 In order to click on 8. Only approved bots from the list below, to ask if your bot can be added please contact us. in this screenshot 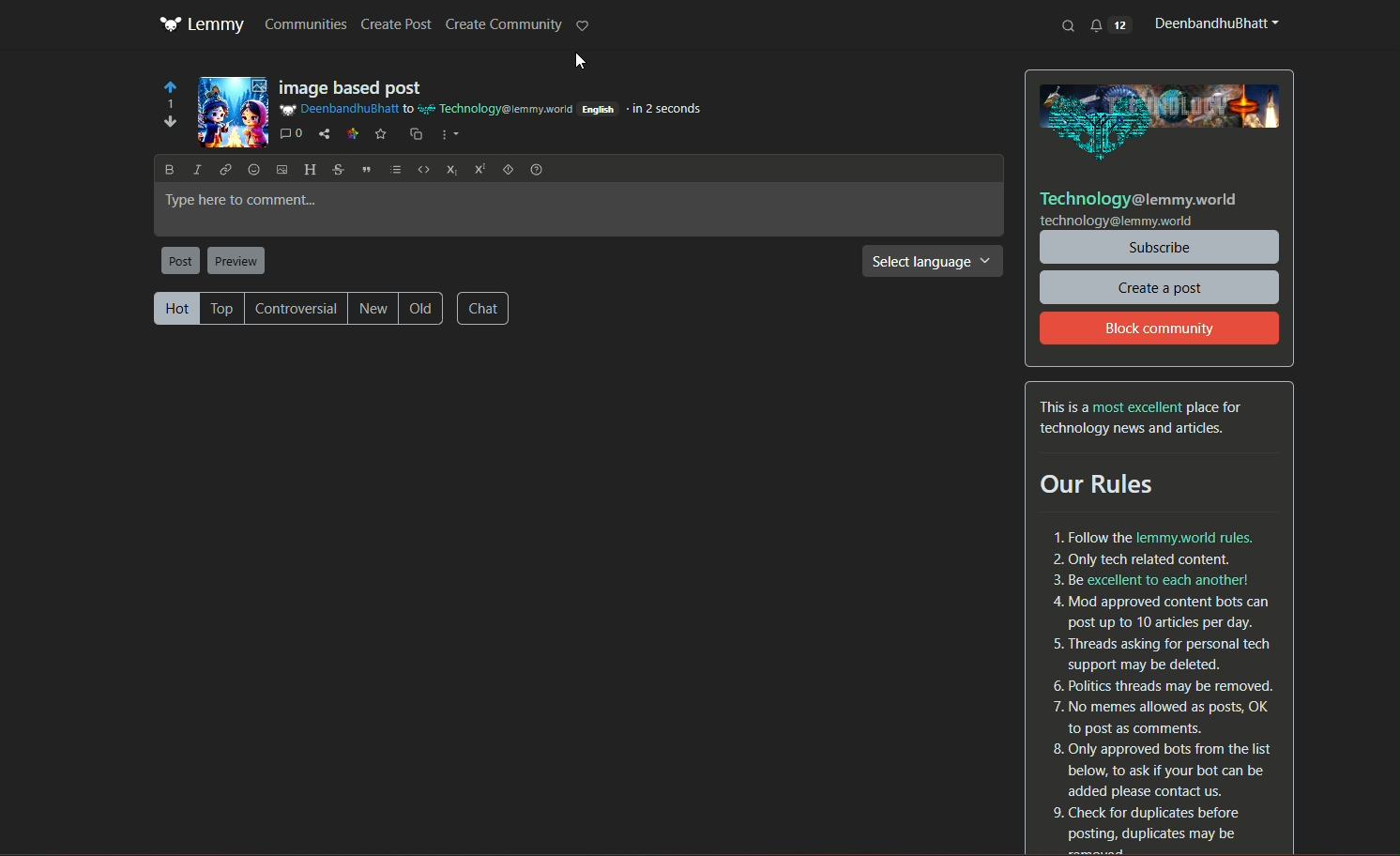, I will do `click(1163, 768)`.